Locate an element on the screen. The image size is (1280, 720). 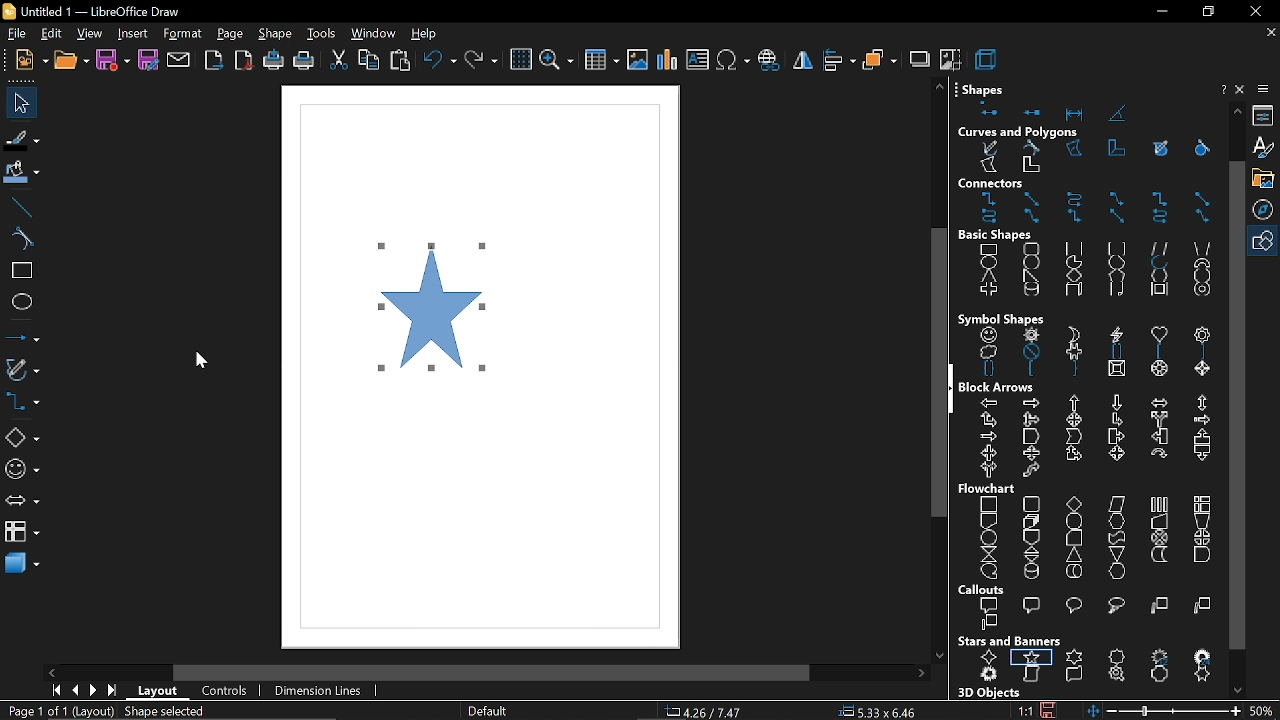
save as is located at coordinates (148, 61).